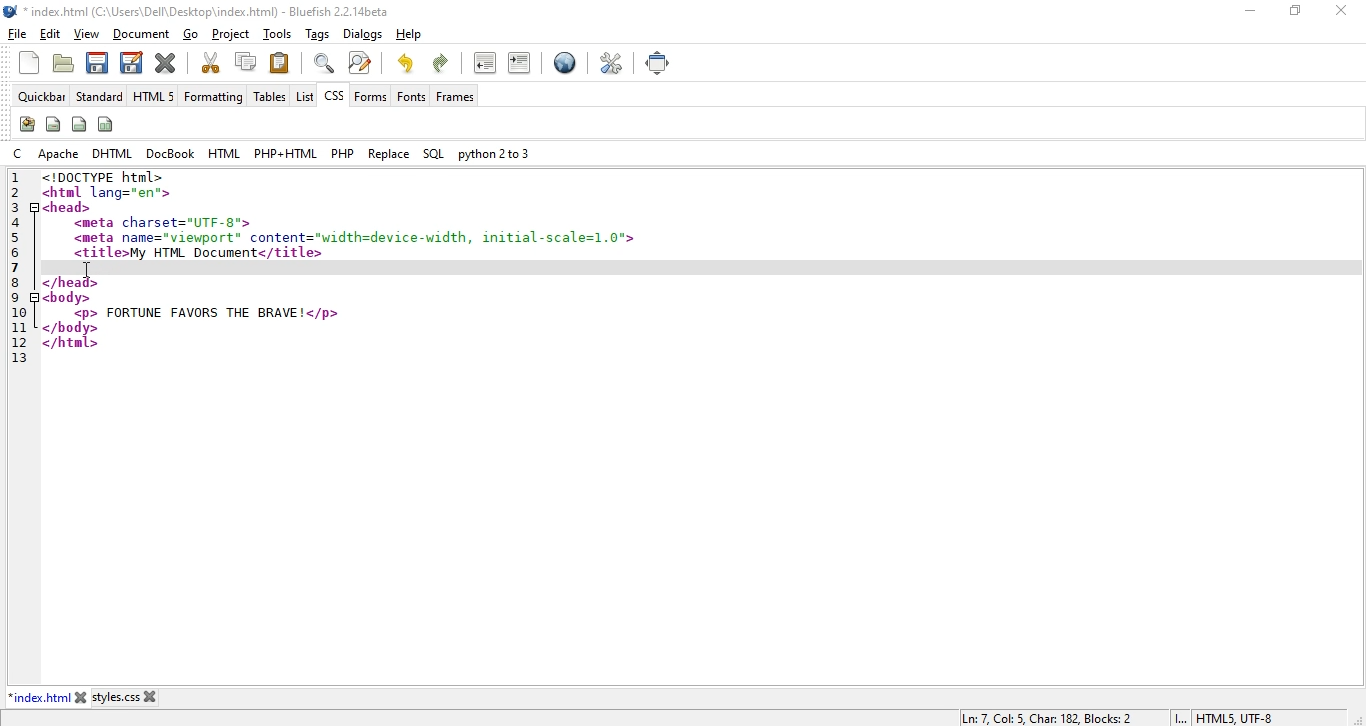 The height and width of the screenshot is (726, 1366). I want to click on 3, so click(18, 205).